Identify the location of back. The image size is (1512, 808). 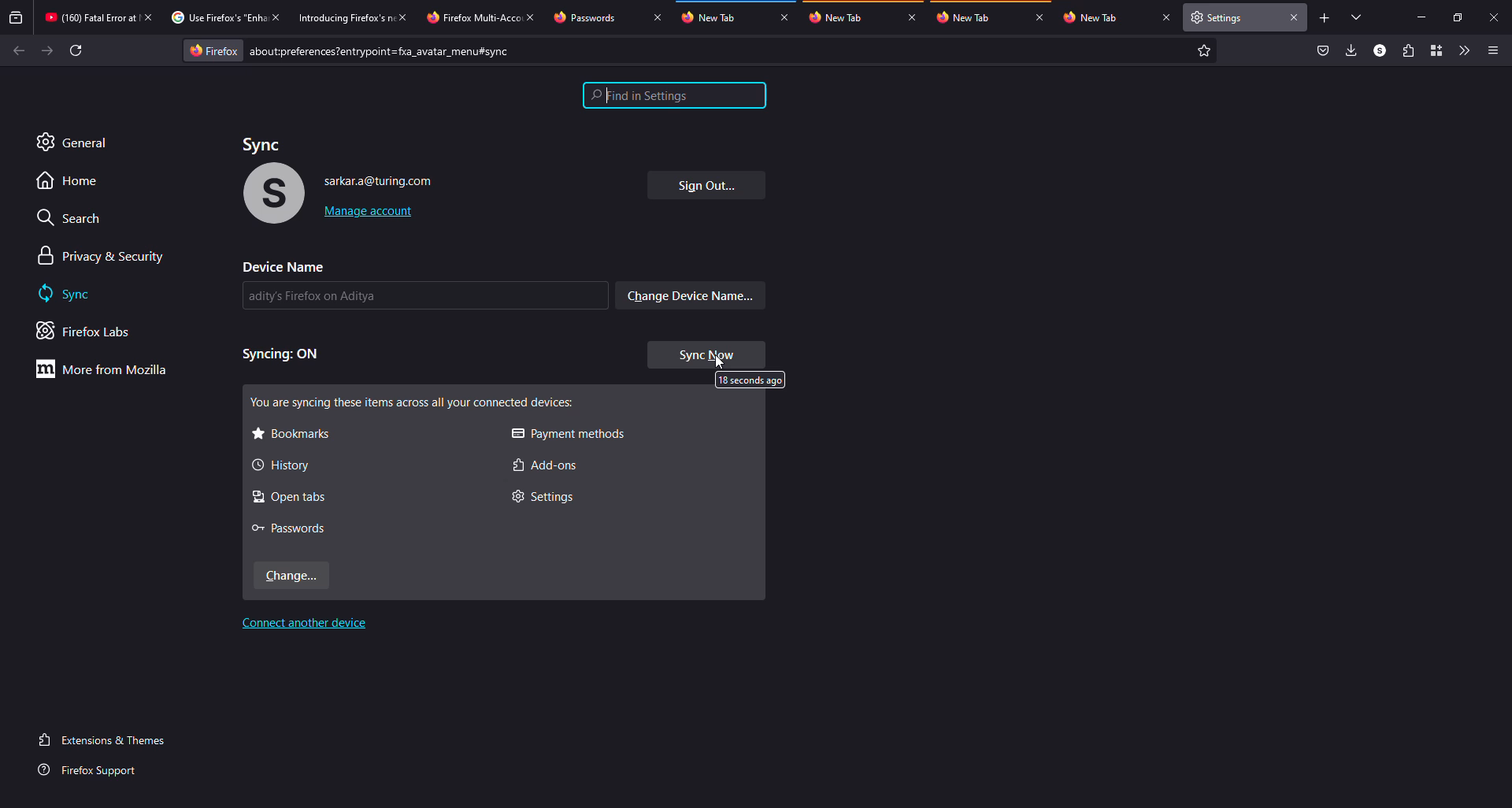
(19, 50).